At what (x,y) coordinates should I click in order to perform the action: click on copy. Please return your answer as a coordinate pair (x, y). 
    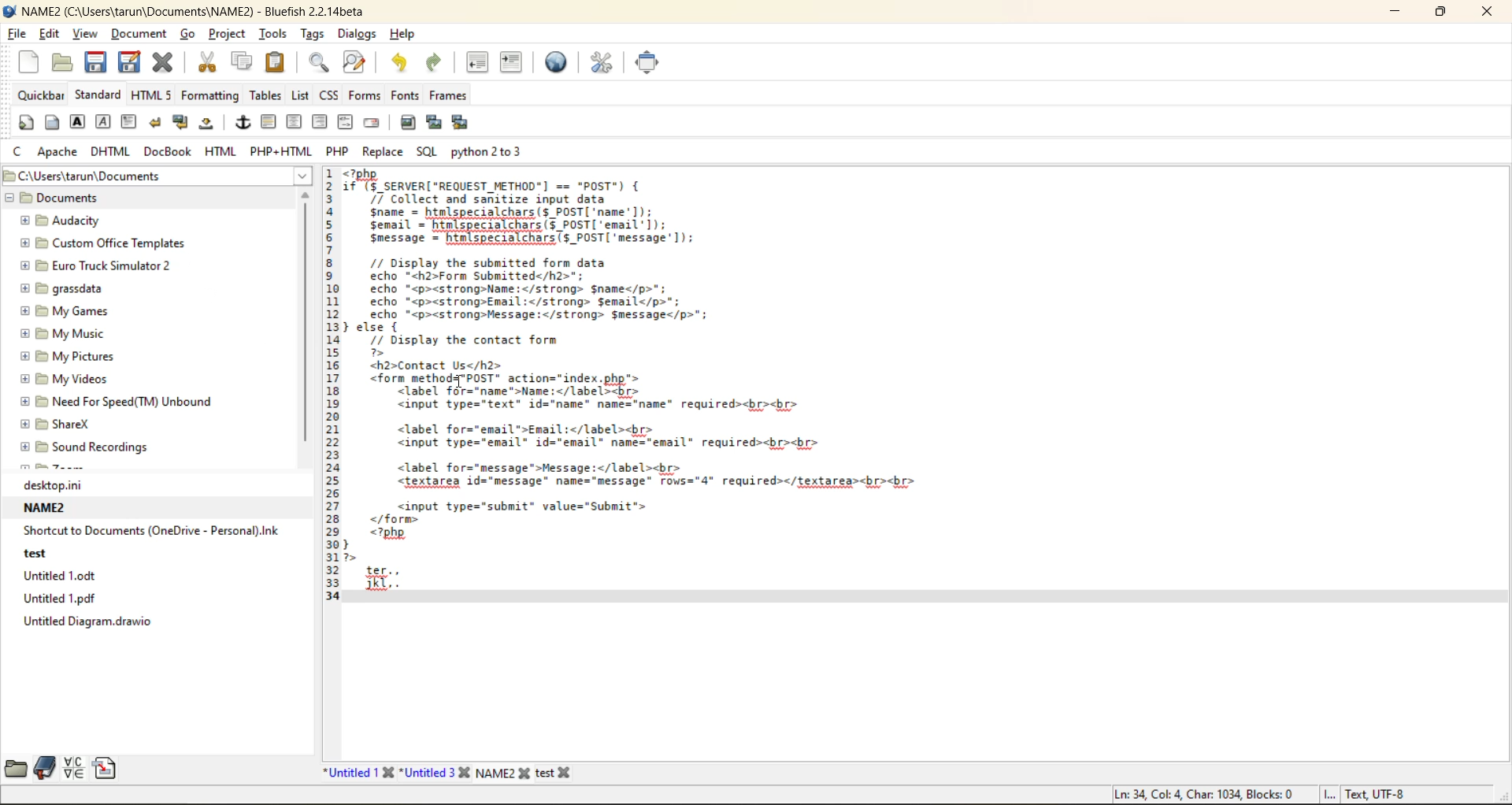
    Looking at the image, I should click on (244, 60).